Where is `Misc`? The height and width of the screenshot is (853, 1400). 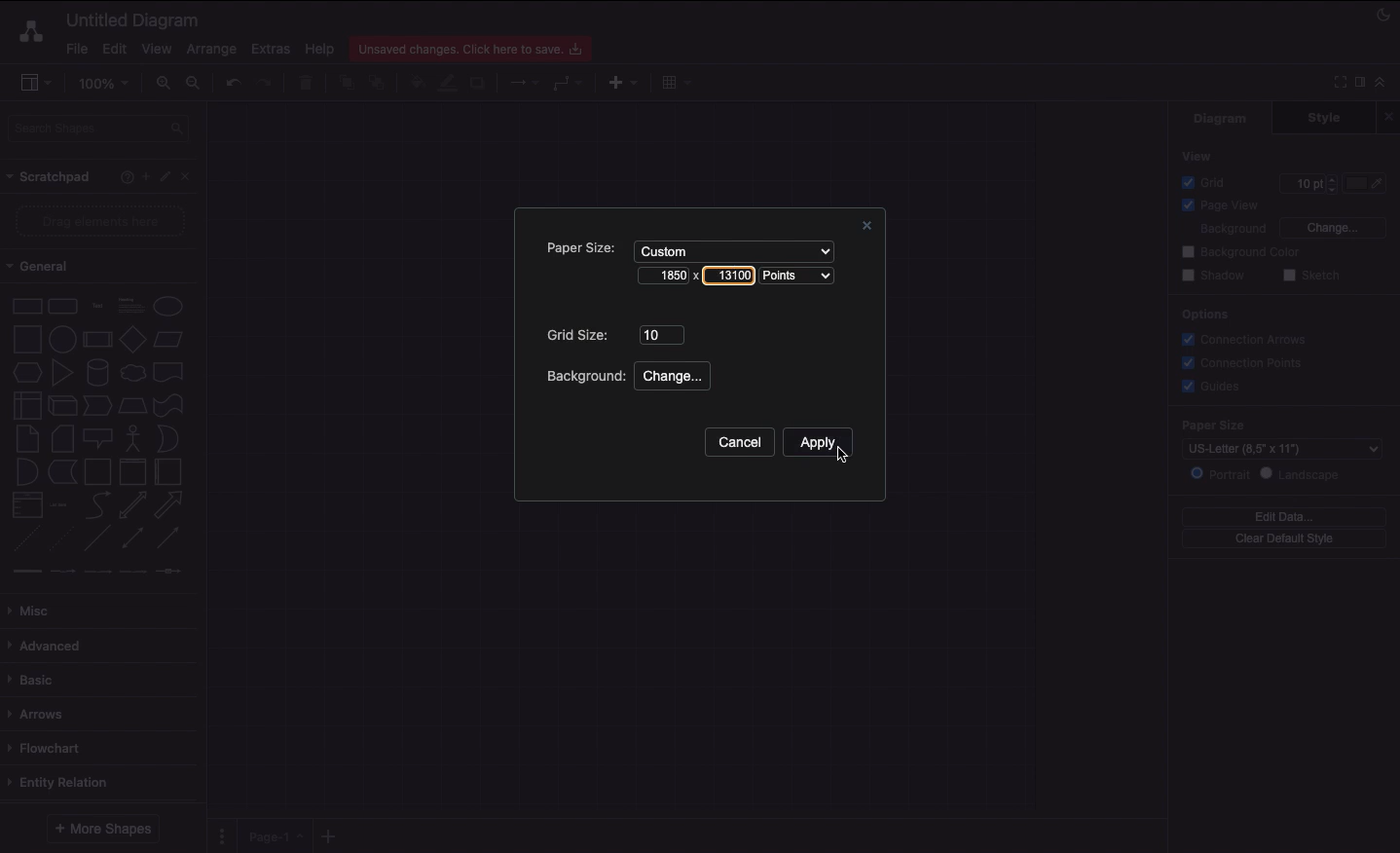
Misc is located at coordinates (34, 611).